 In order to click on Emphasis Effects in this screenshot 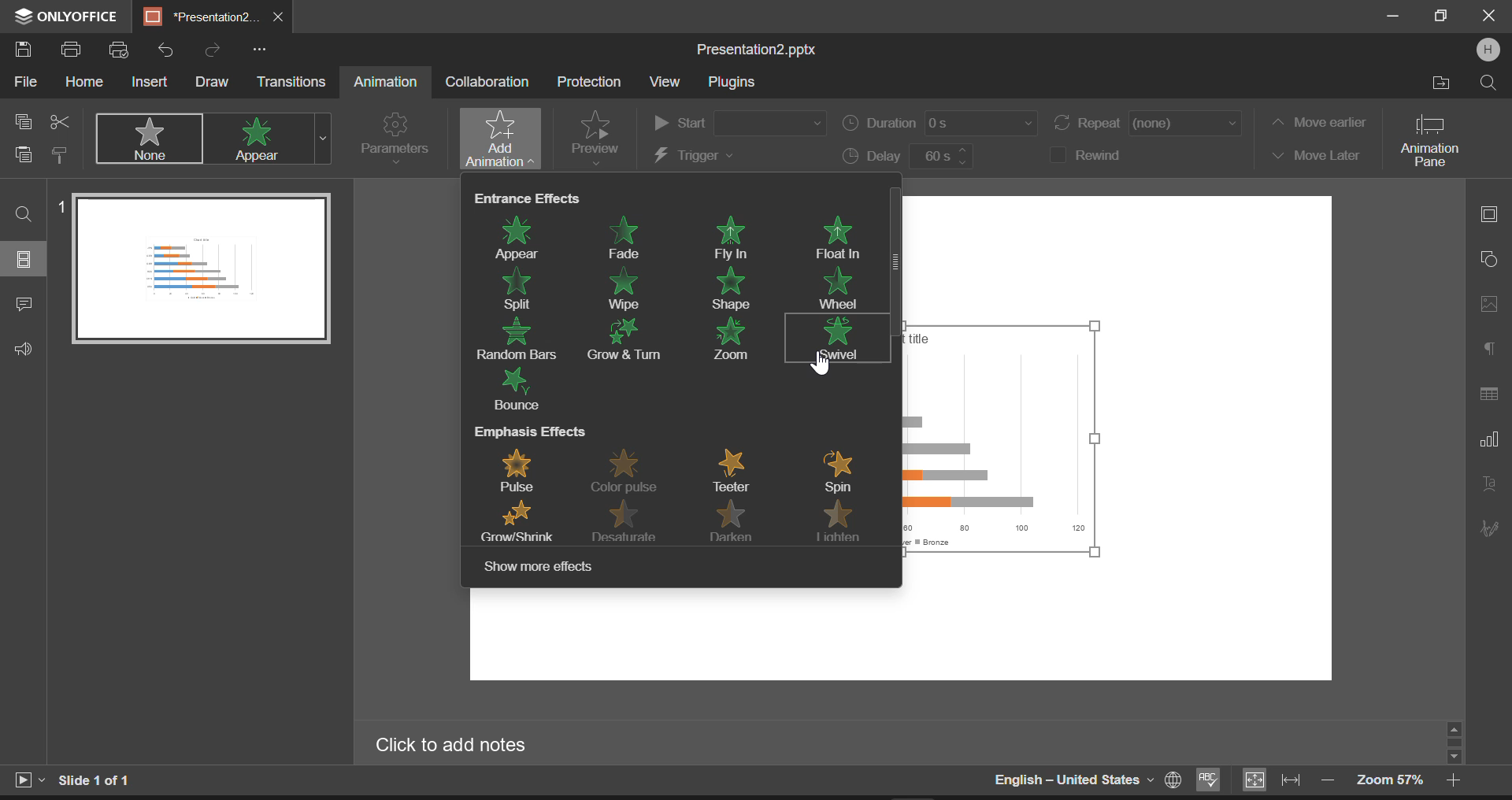, I will do `click(530, 432)`.